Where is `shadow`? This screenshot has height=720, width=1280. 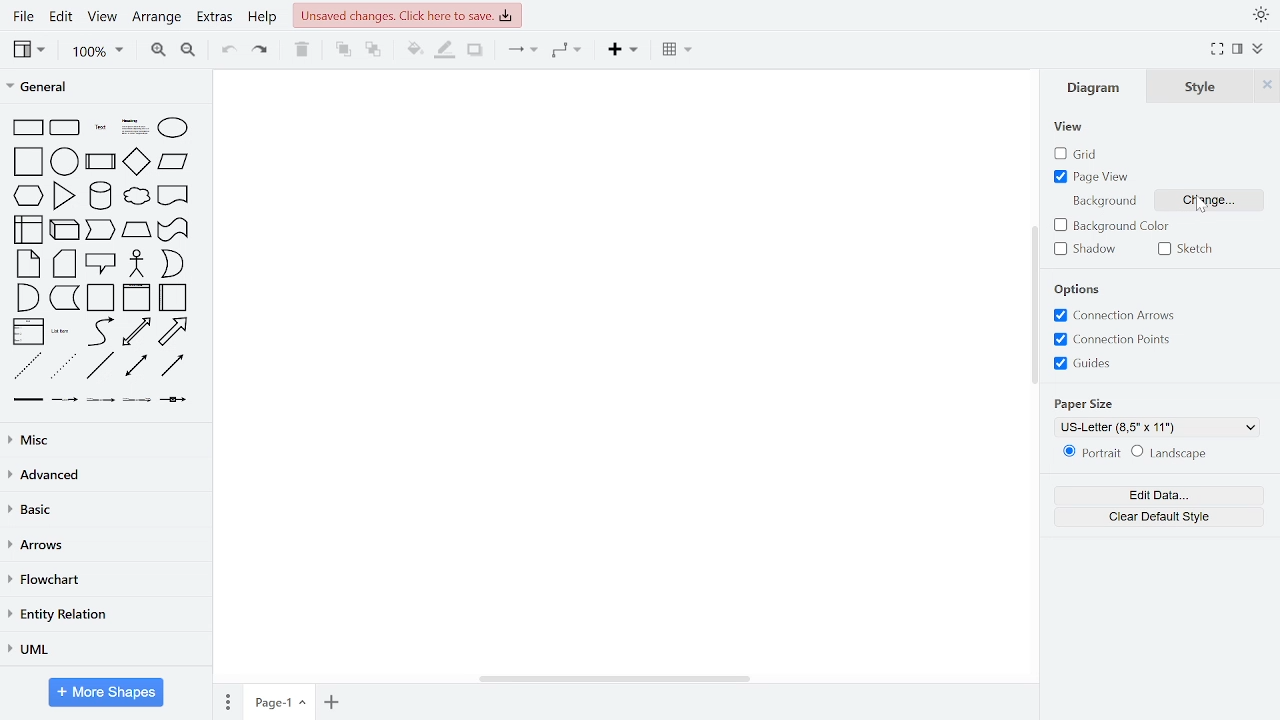
shadow is located at coordinates (1082, 250).